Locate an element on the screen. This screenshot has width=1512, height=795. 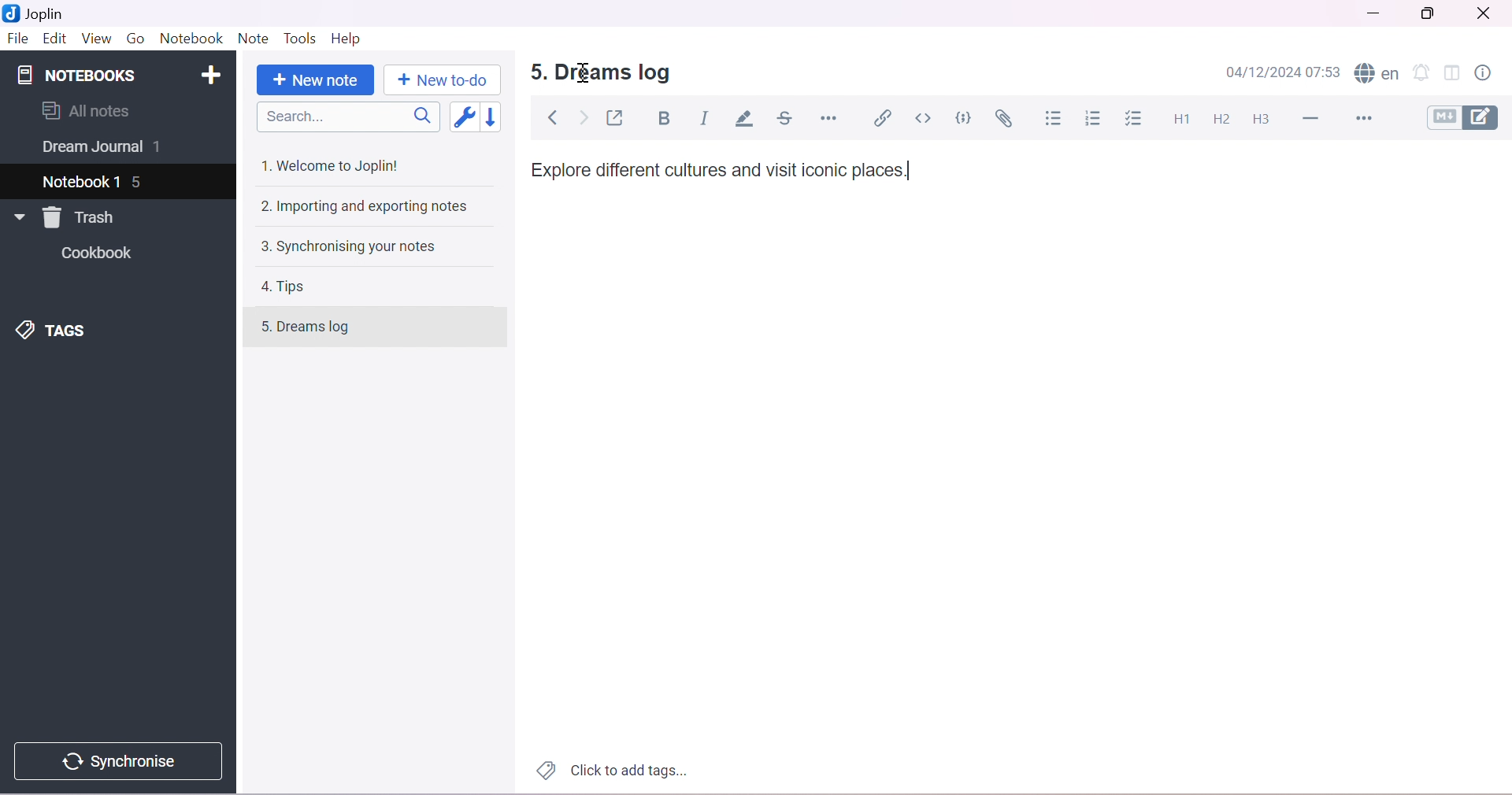
2. Importing and exporting notes is located at coordinates (367, 208).